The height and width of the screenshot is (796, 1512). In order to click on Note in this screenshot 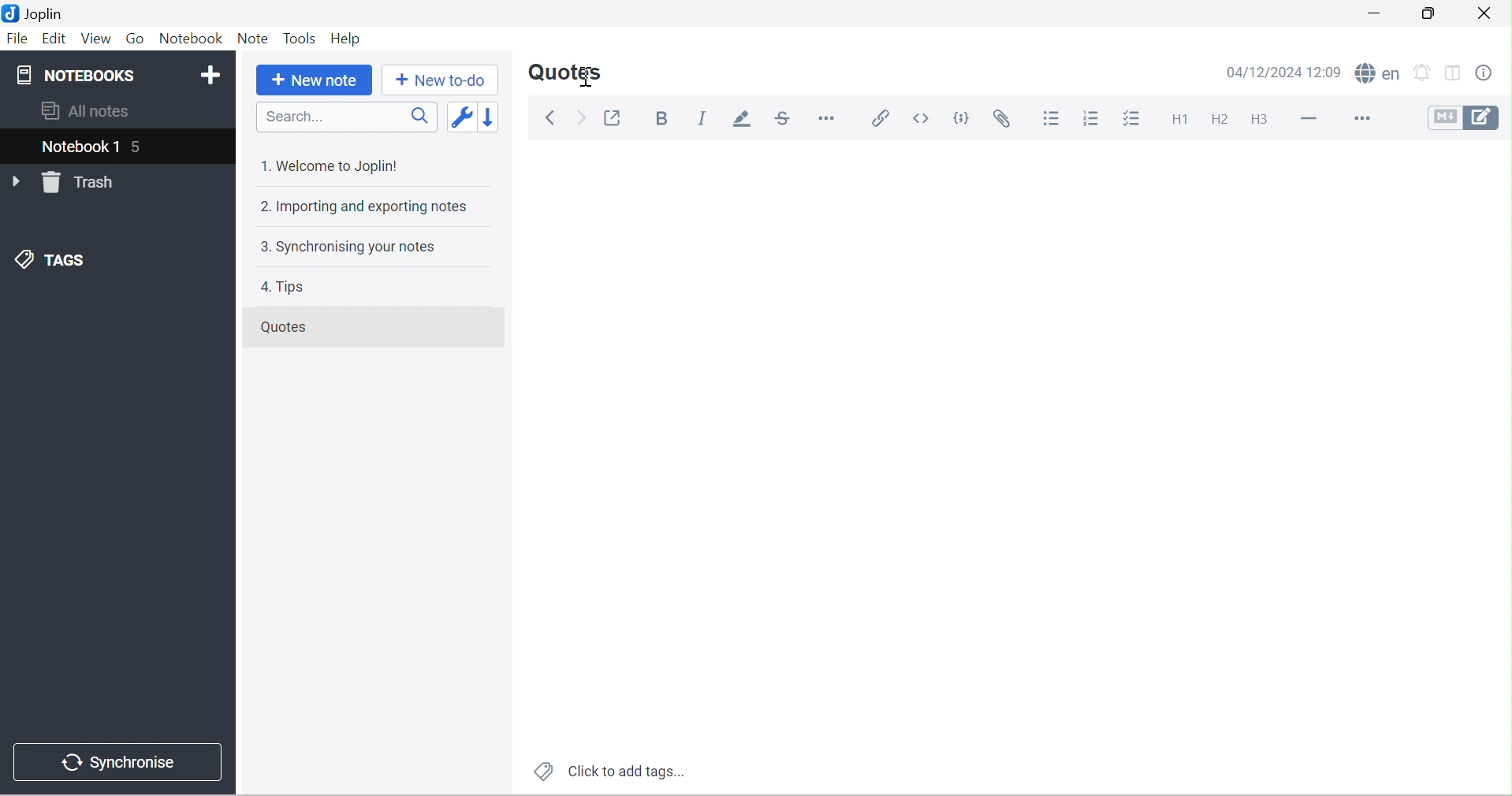, I will do `click(255, 39)`.